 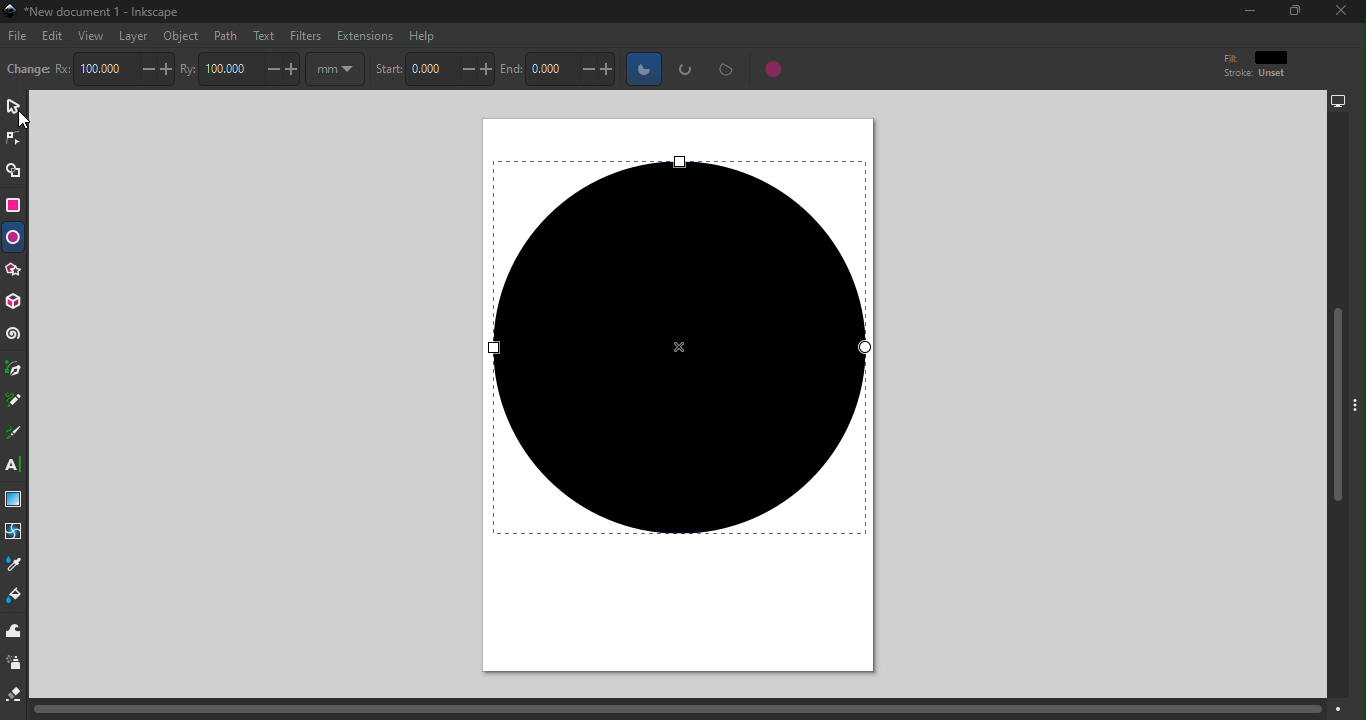 What do you see at coordinates (93, 35) in the screenshot?
I see `View` at bounding box center [93, 35].